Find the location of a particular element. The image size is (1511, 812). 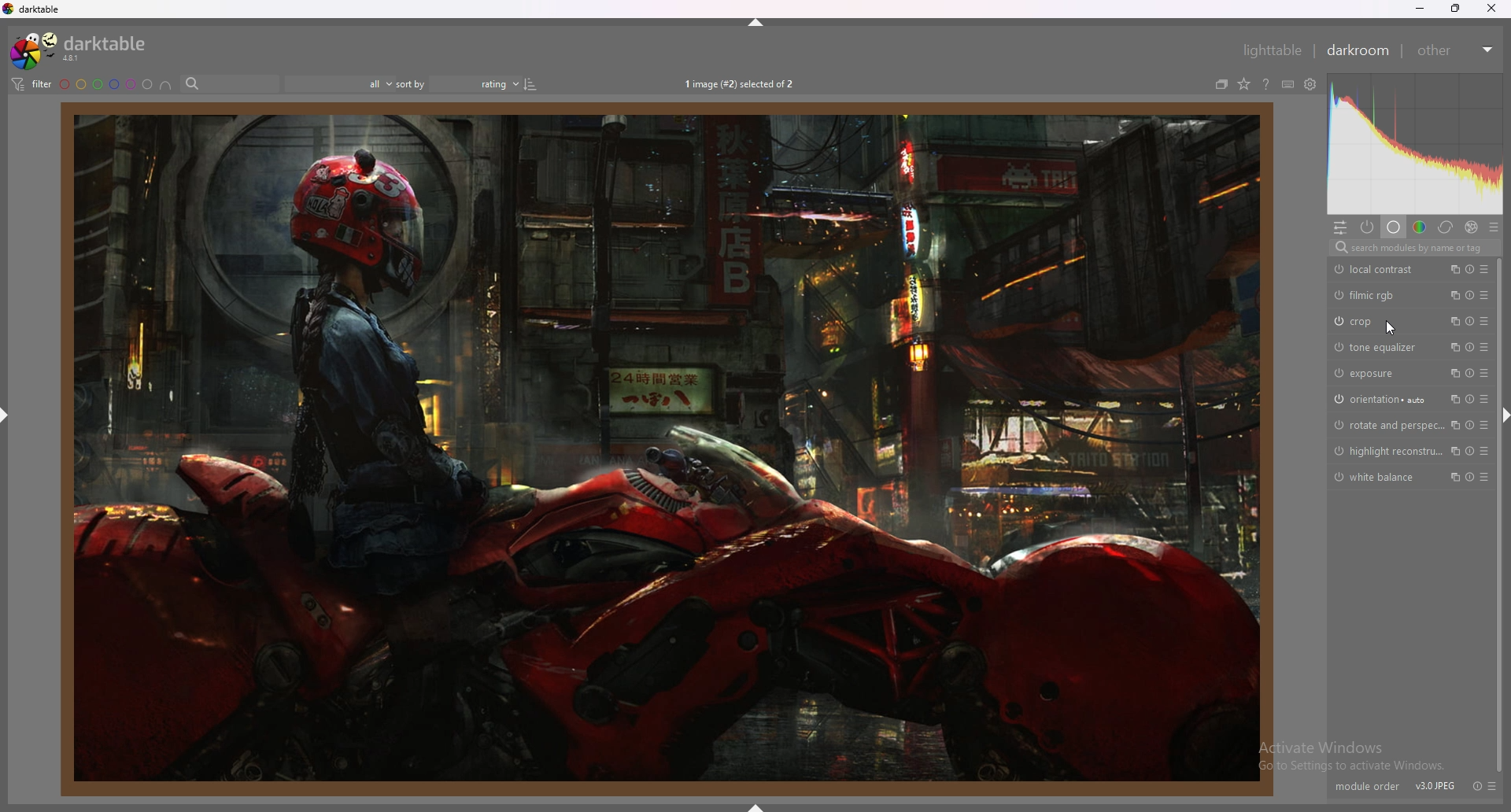

lighttable is located at coordinates (1272, 50).